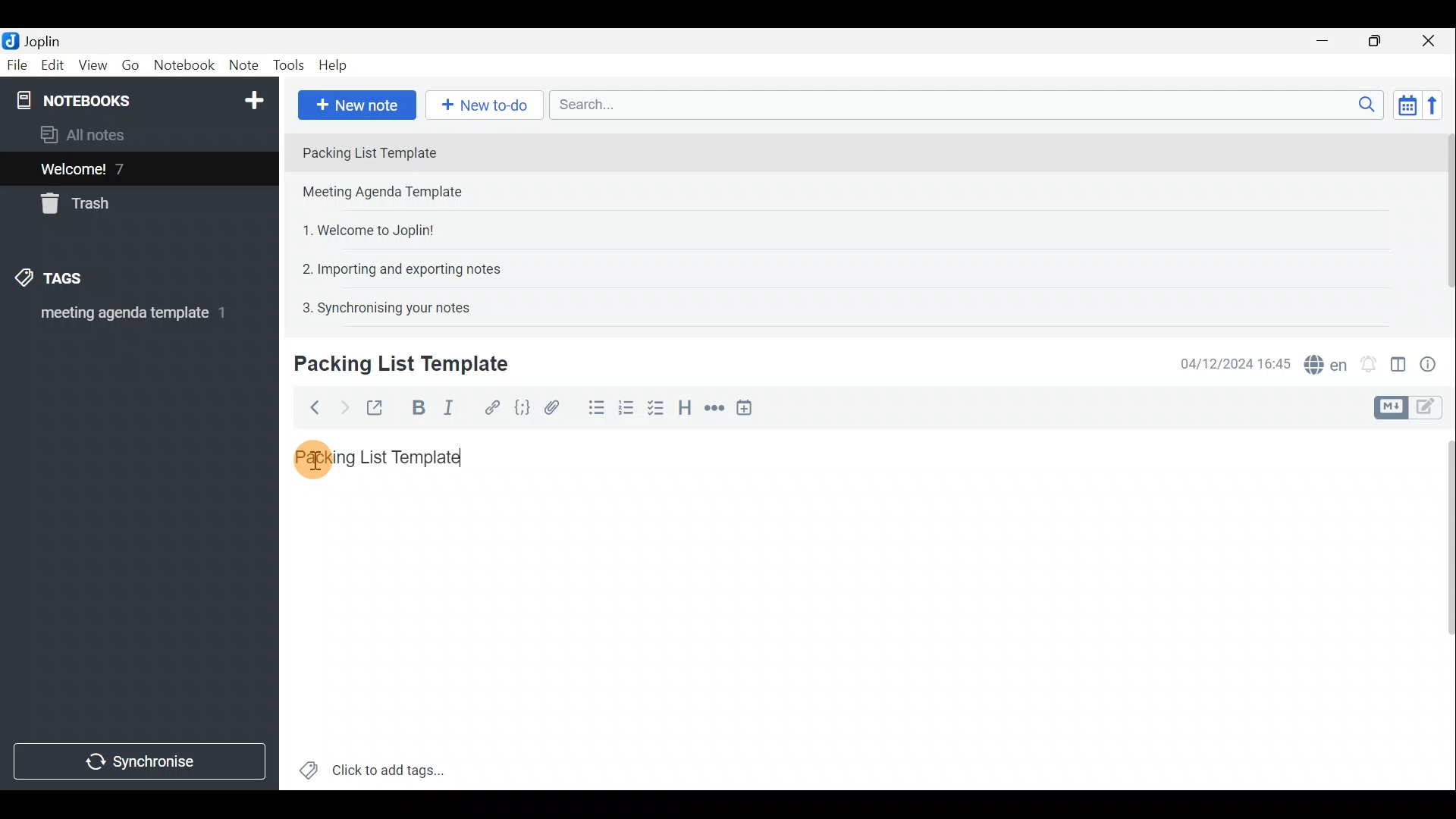  I want to click on Creating new note, so click(392, 365).